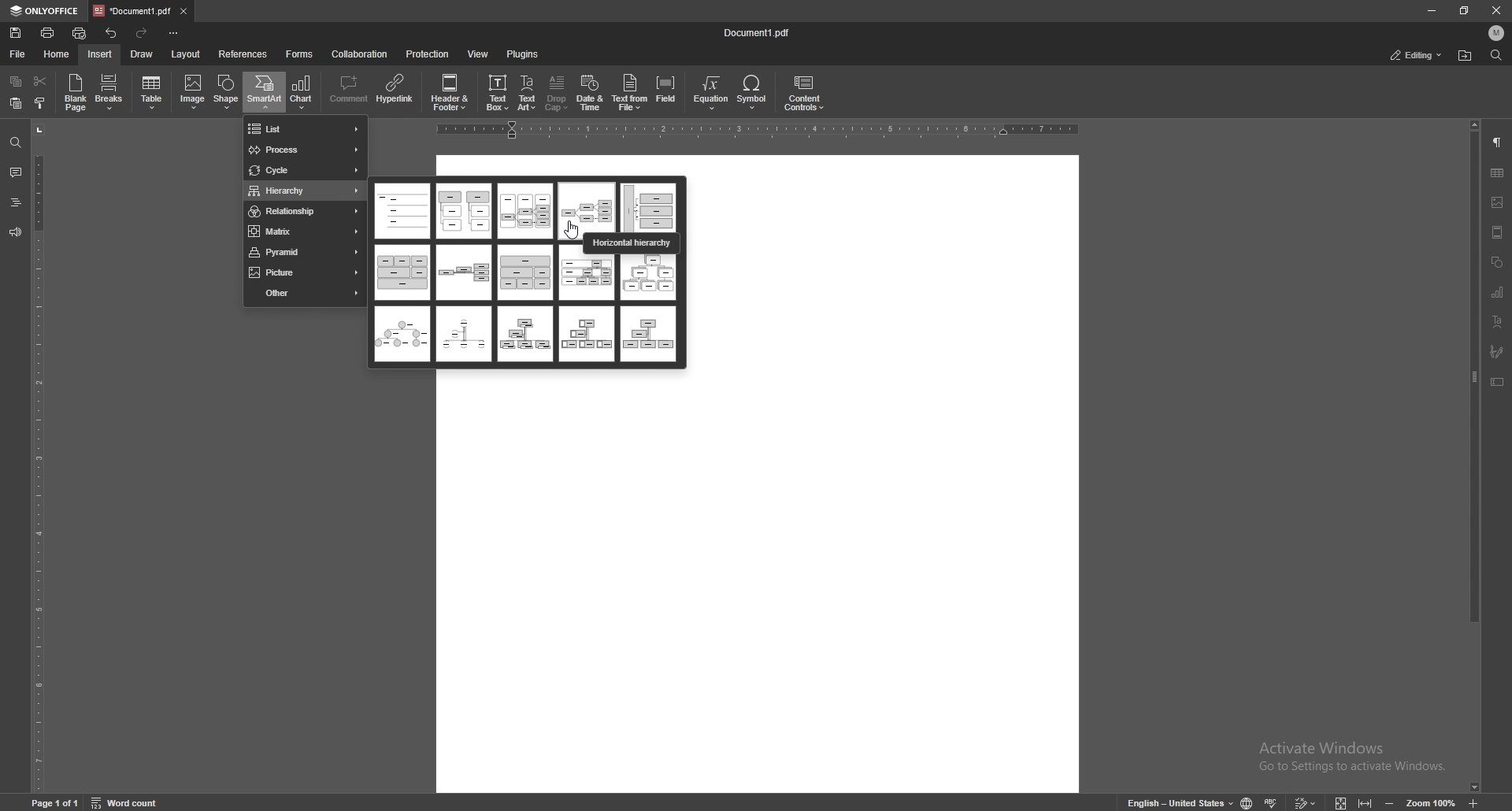  What do you see at coordinates (305, 150) in the screenshot?
I see `process` at bounding box center [305, 150].